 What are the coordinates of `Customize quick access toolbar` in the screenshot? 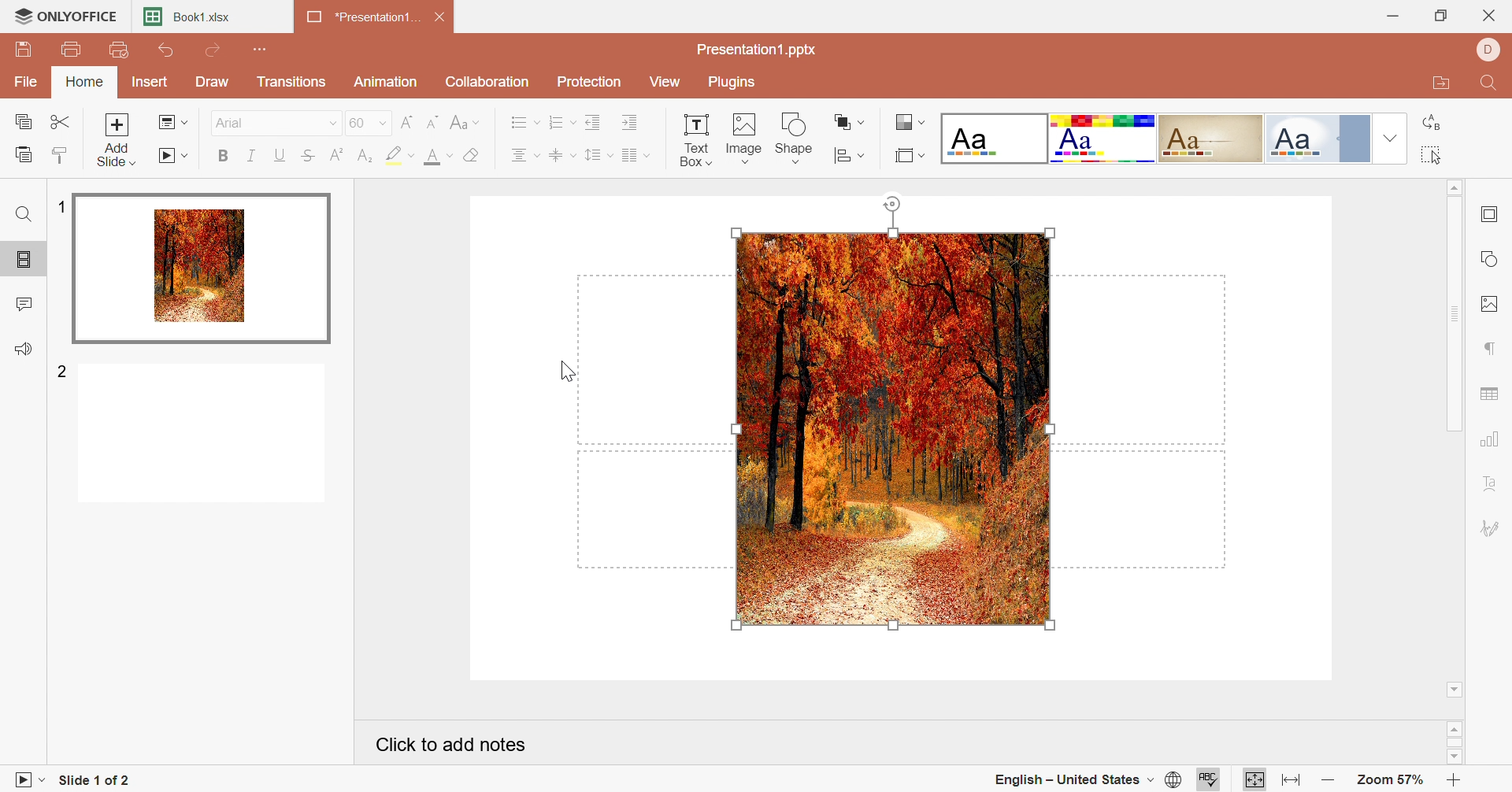 It's located at (262, 48).